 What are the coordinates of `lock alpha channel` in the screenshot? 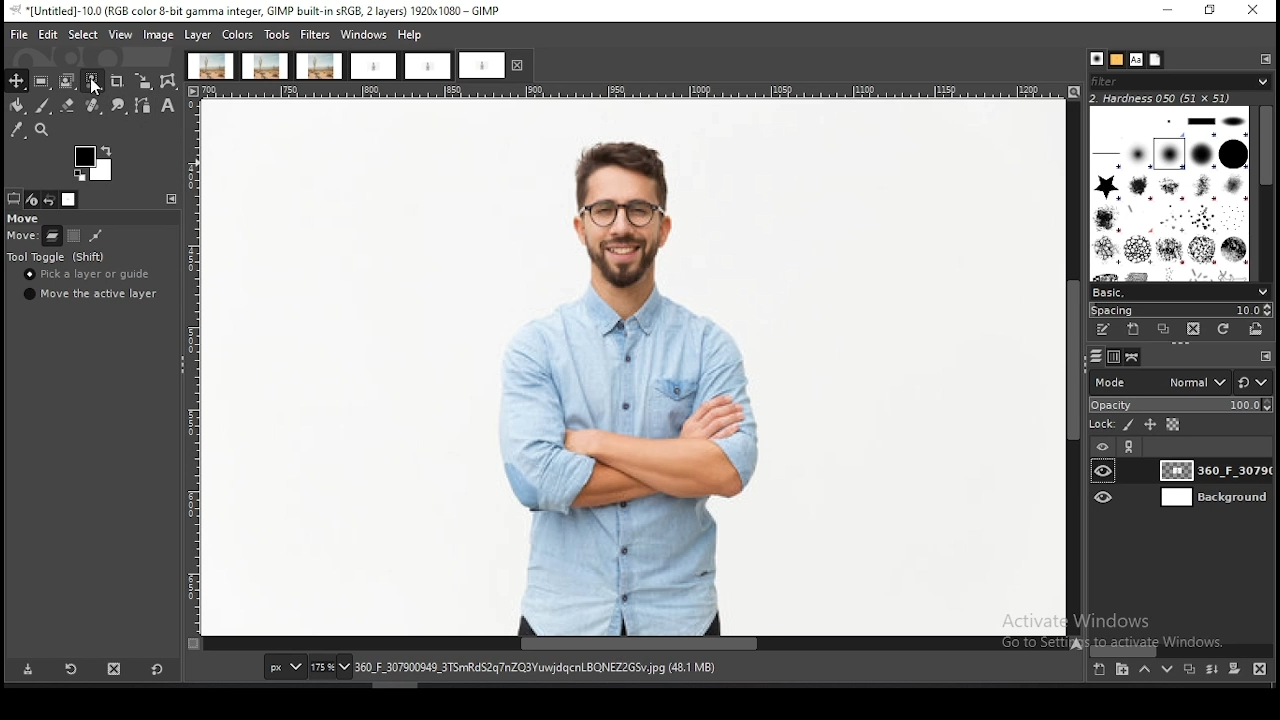 It's located at (1173, 425).